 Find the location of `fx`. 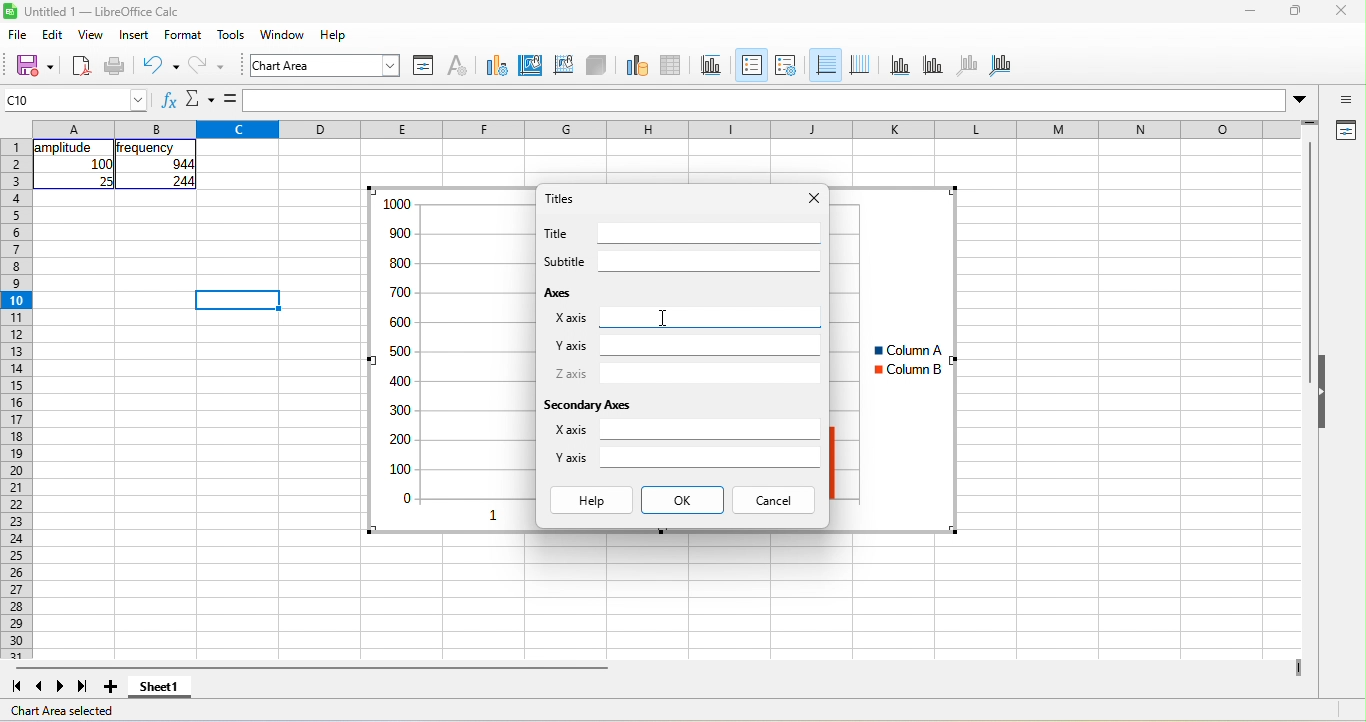

fx is located at coordinates (170, 99).